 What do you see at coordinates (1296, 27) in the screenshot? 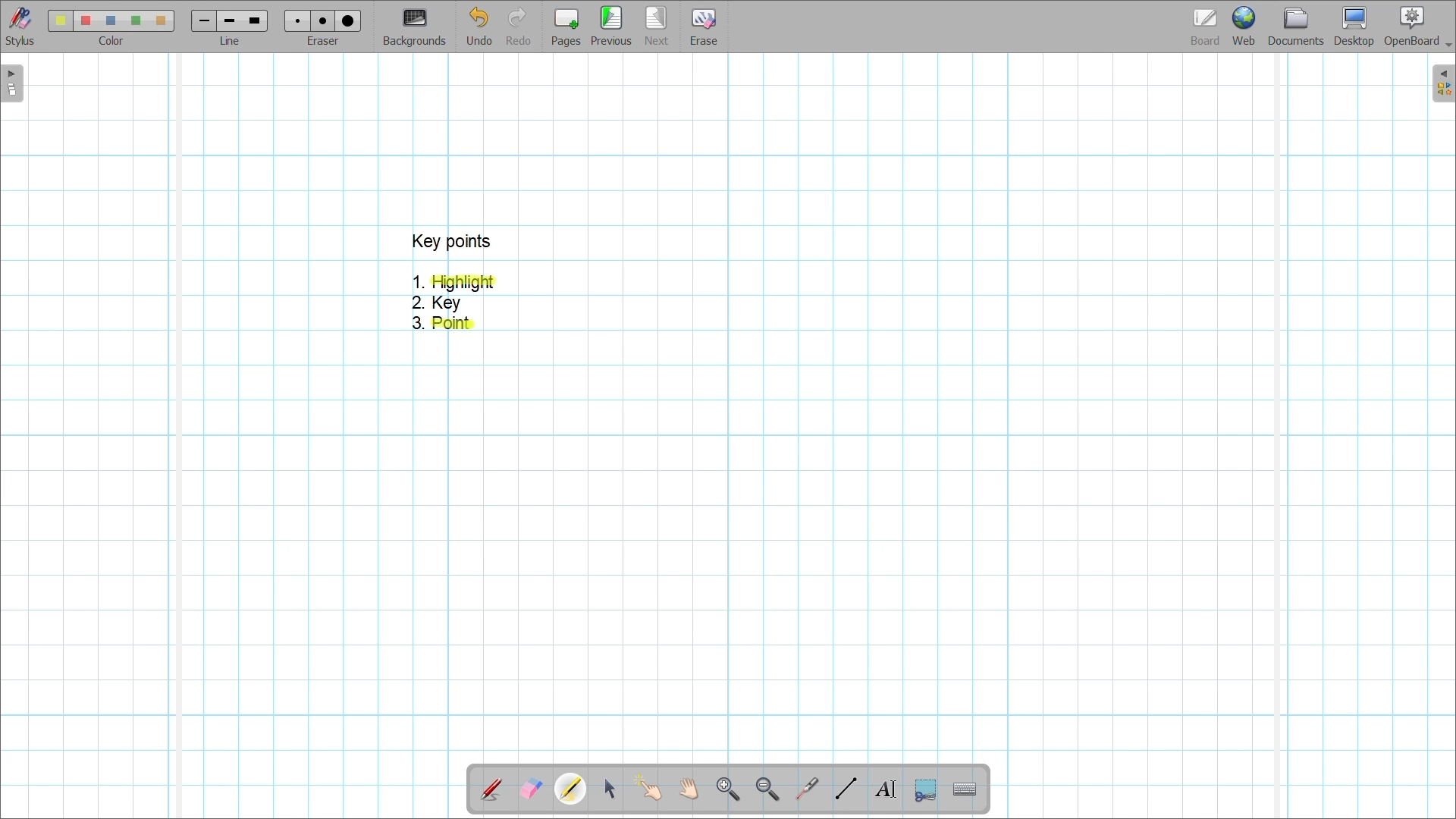
I see `Documents` at bounding box center [1296, 27].